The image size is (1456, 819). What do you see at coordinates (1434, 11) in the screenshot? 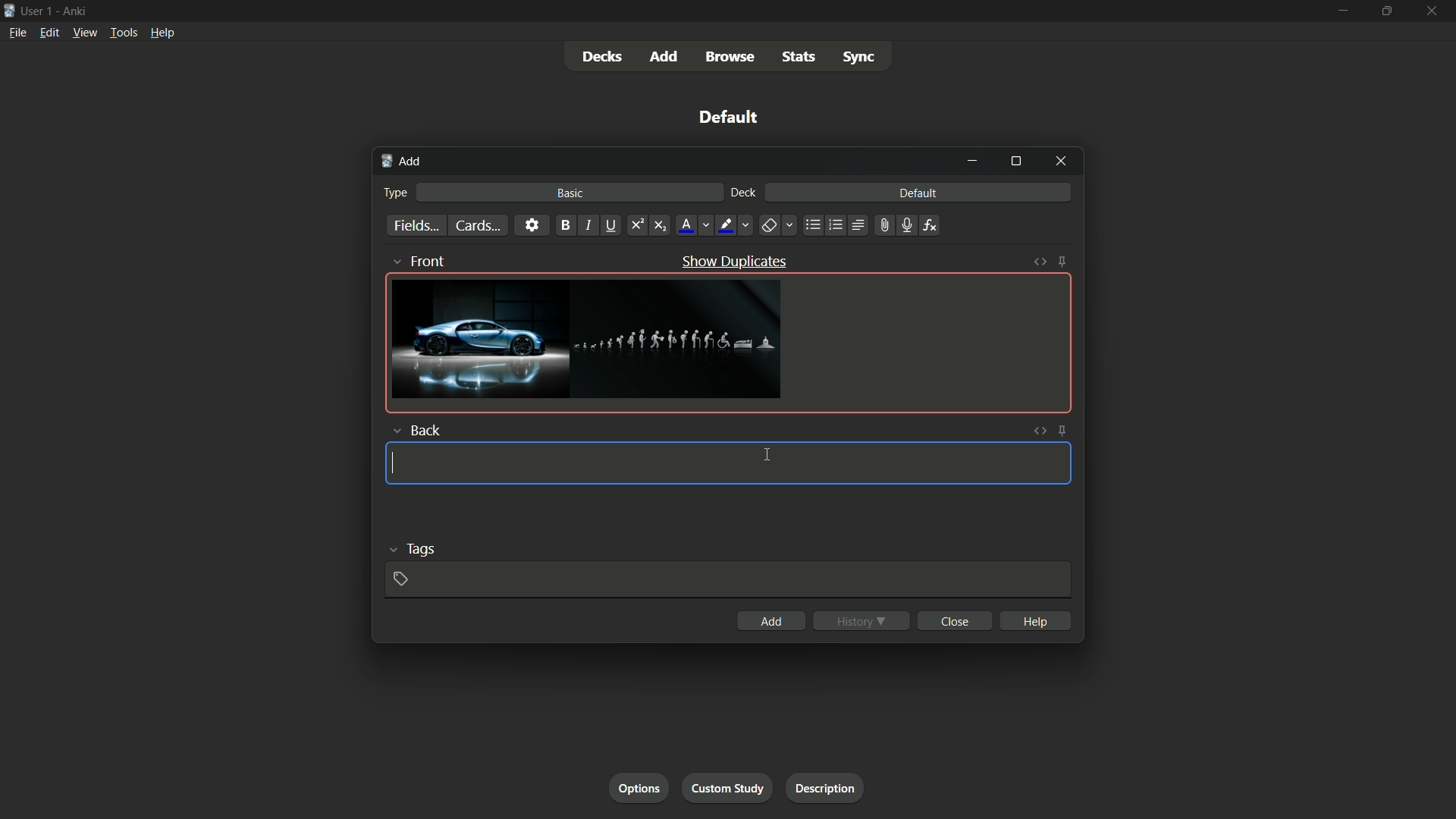
I see `close app` at bounding box center [1434, 11].